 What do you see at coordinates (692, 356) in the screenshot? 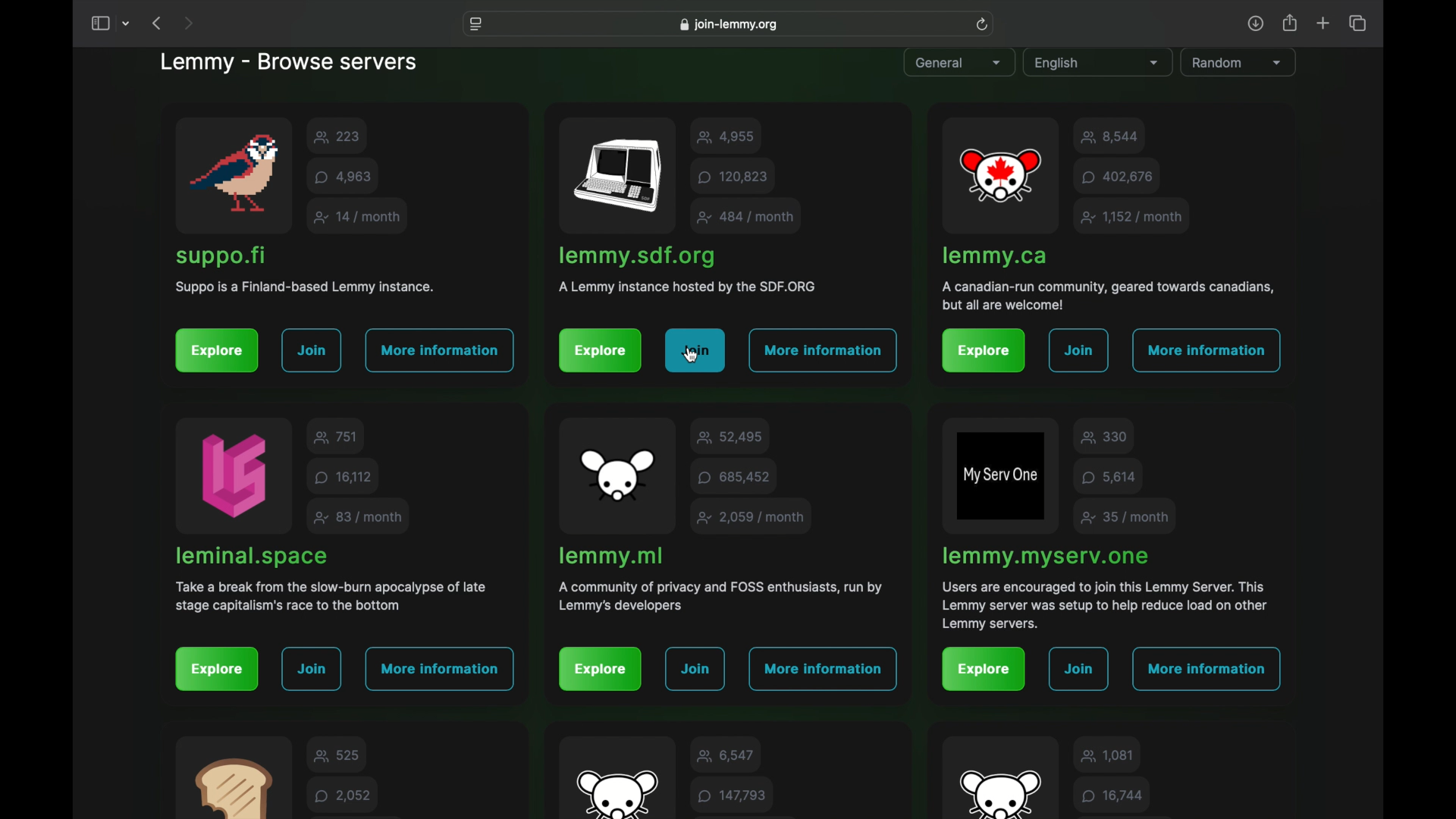
I see `cursor` at bounding box center [692, 356].